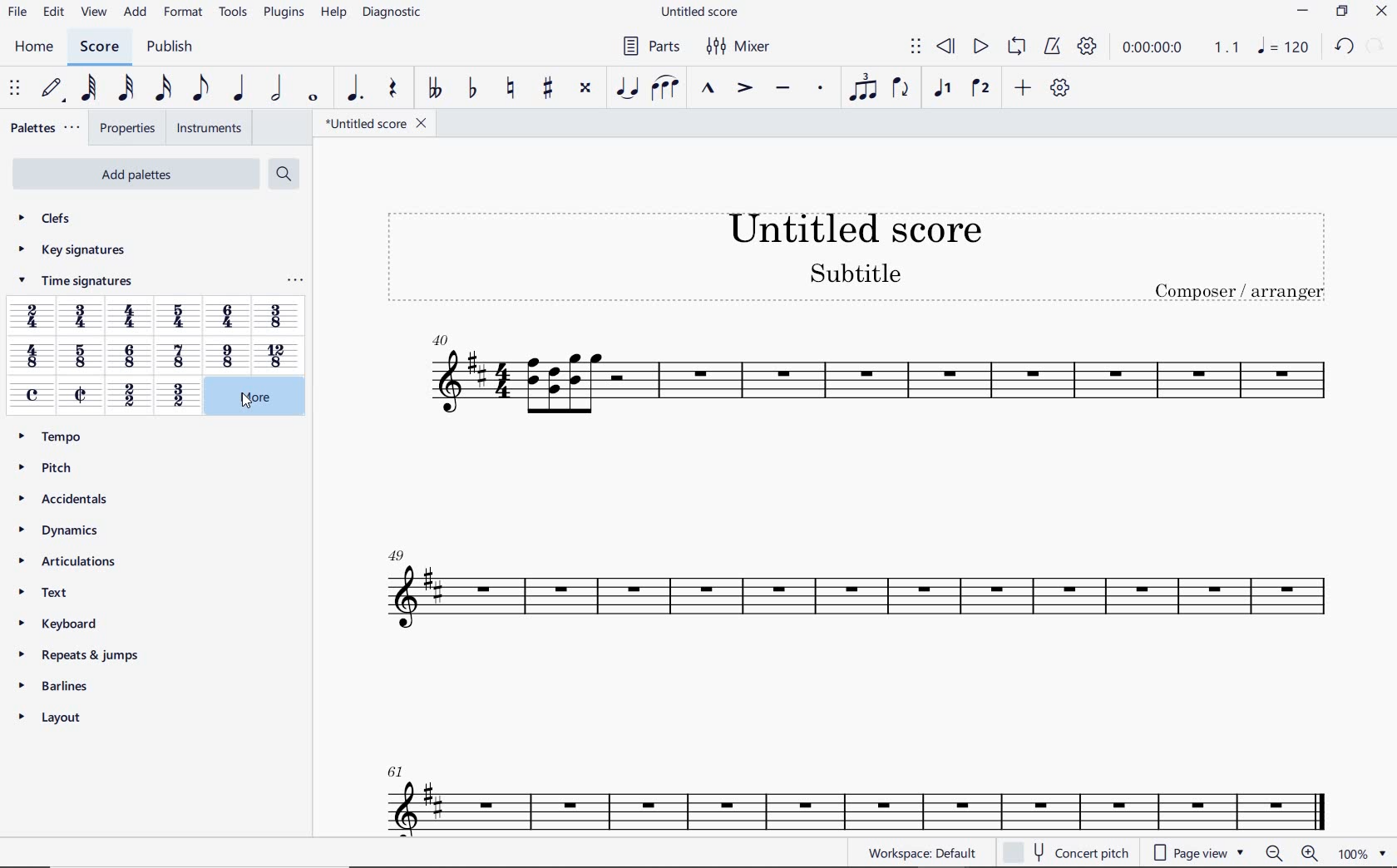 The image size is (1397, 868). Describe the element at coordinates (392, 13) in the screenshot. I see `DIAGNOSTIC` at that location.